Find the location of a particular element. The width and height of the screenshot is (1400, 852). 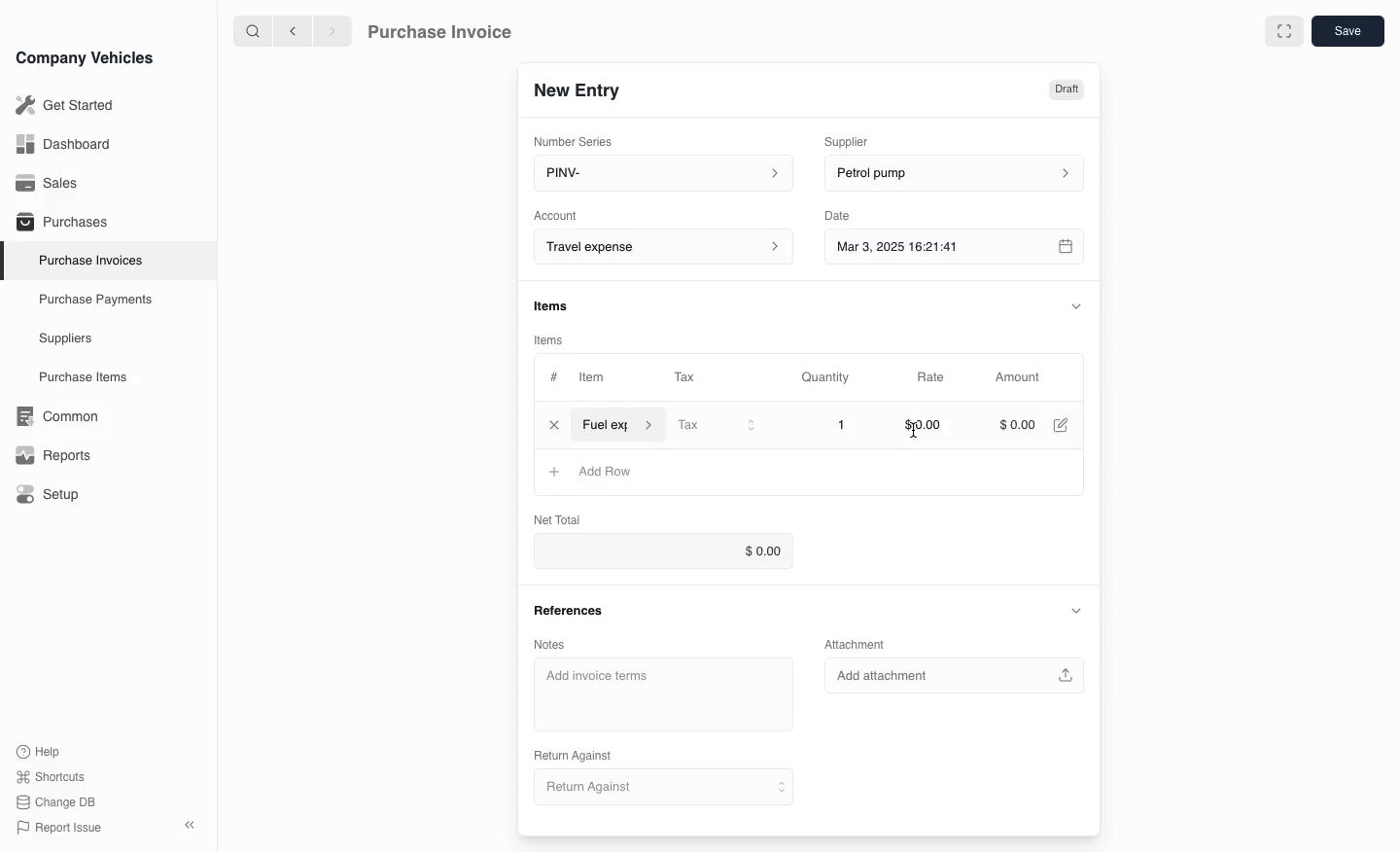

close is located at coordinates (553, 427).